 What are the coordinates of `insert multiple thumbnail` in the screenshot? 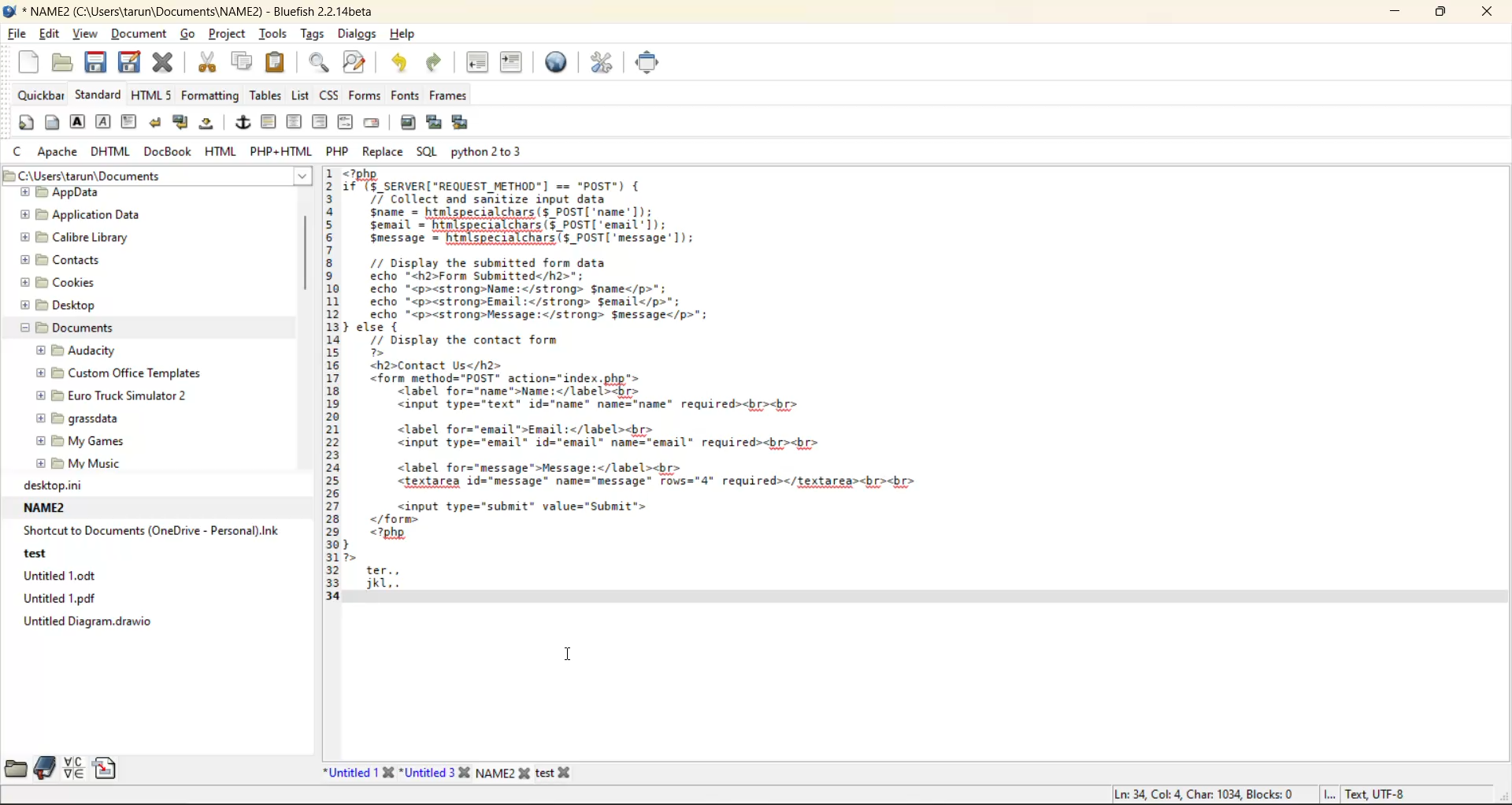 It's located at (462, 124).